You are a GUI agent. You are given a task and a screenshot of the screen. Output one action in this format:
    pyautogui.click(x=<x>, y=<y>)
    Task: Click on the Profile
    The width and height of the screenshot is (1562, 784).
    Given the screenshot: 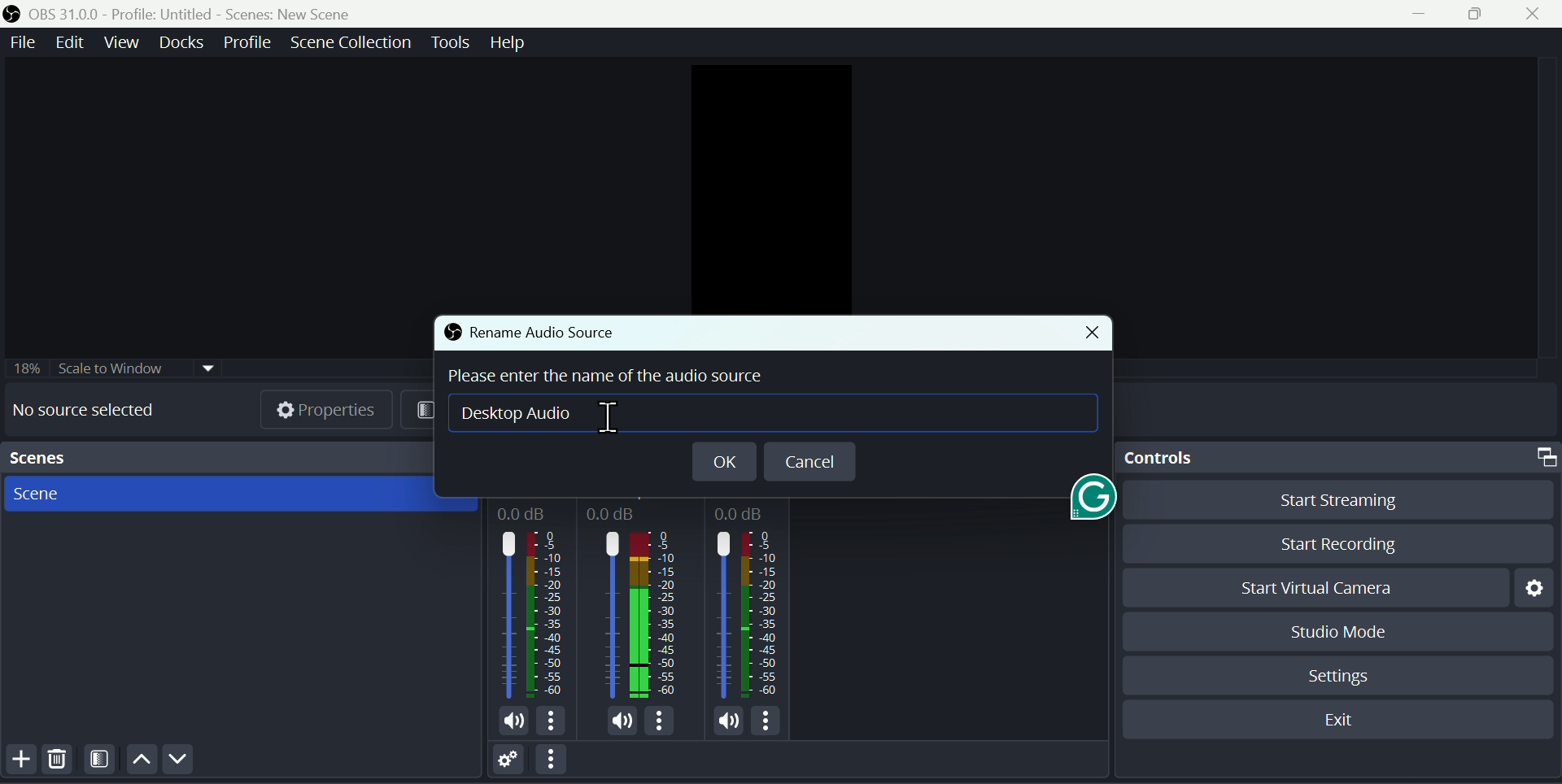 What is the action you would take?
    pyautogui.click(x=249, y=43)
    